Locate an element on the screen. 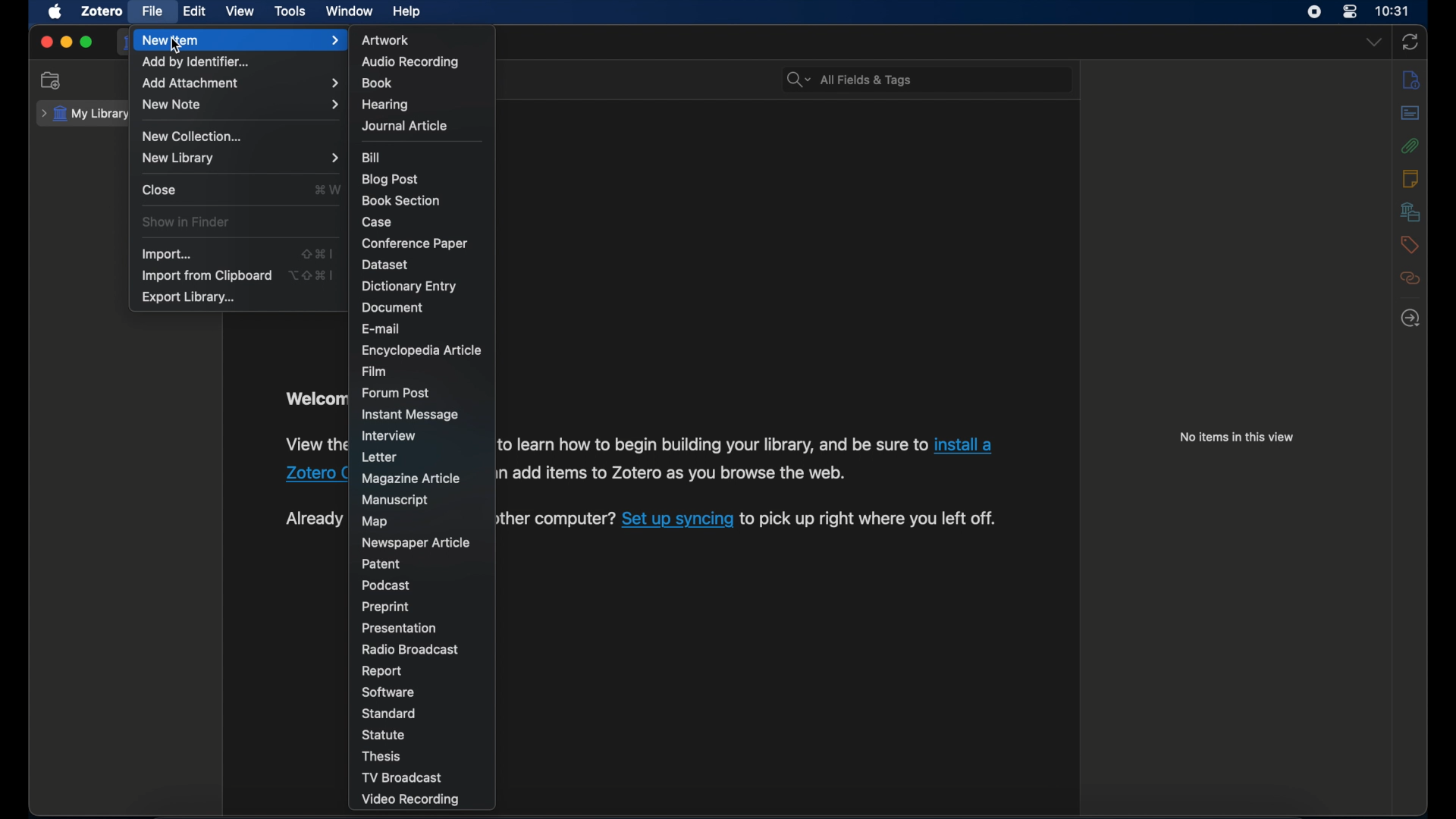 The height and width of the screenshot is (819, 1456). case is located at coordinates (378, 222).